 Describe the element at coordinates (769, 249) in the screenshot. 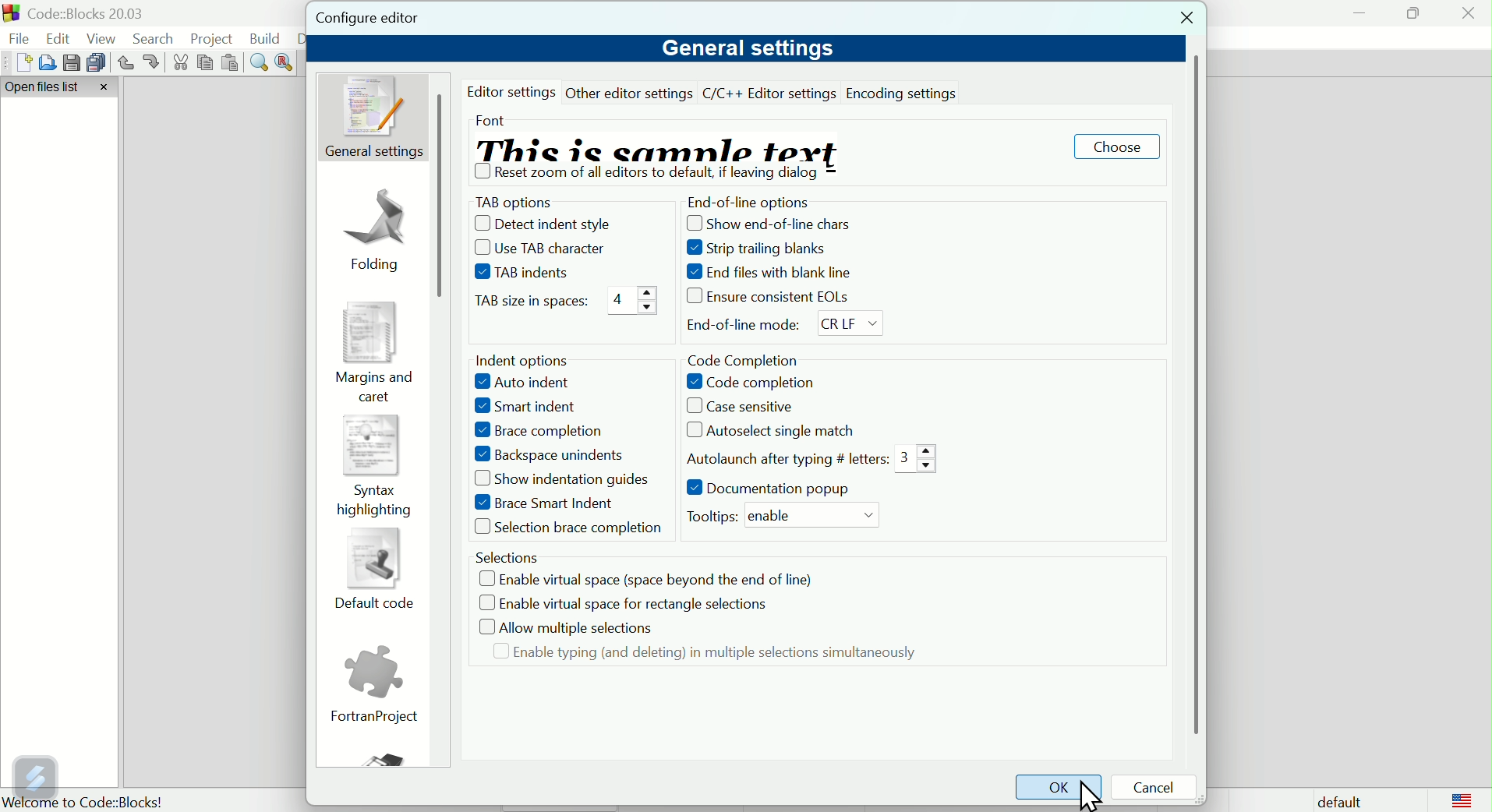

I see `Strip trailing blanks` at that location.